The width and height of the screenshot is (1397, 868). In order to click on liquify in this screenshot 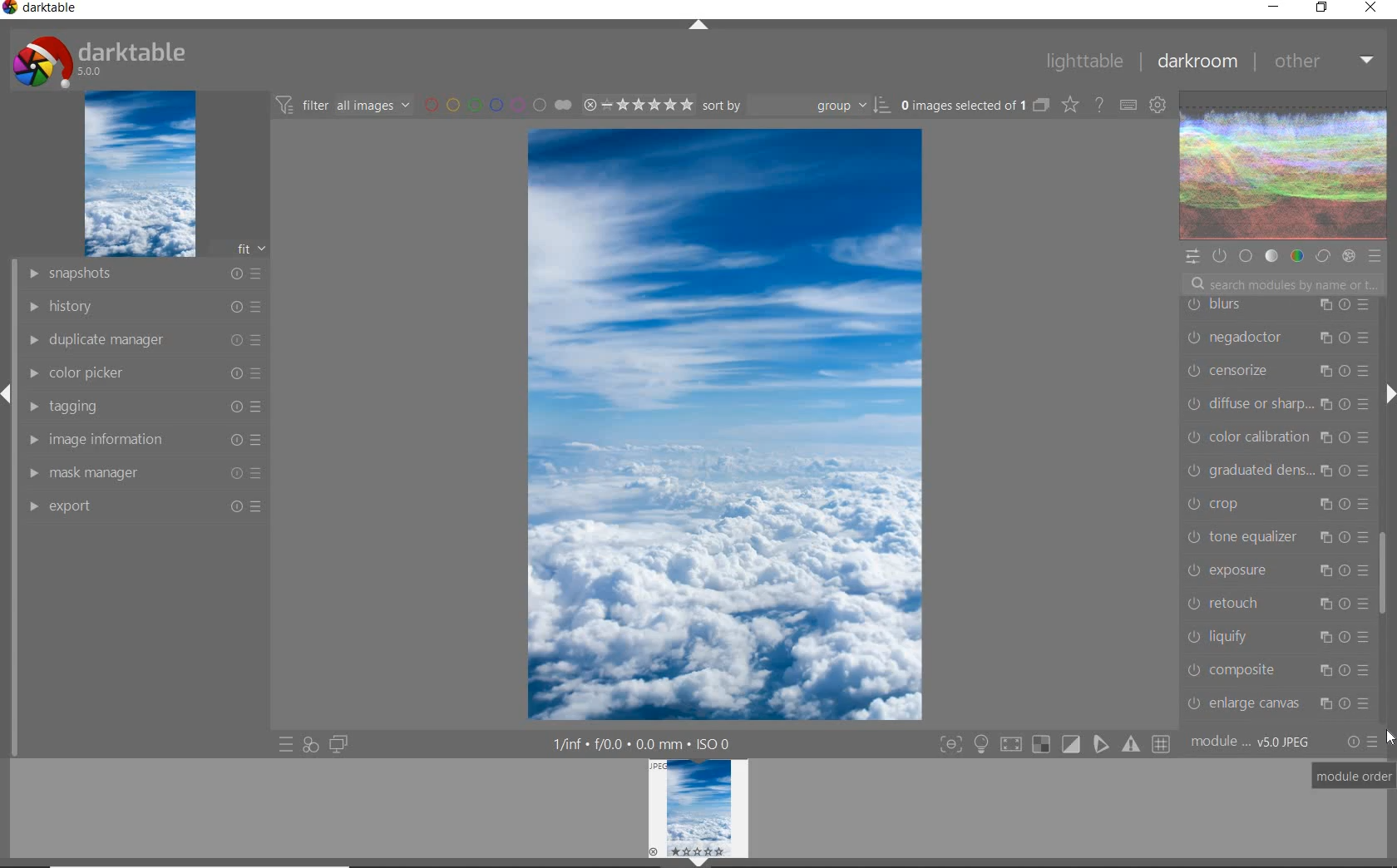, I will do `click(1276, 635)`.